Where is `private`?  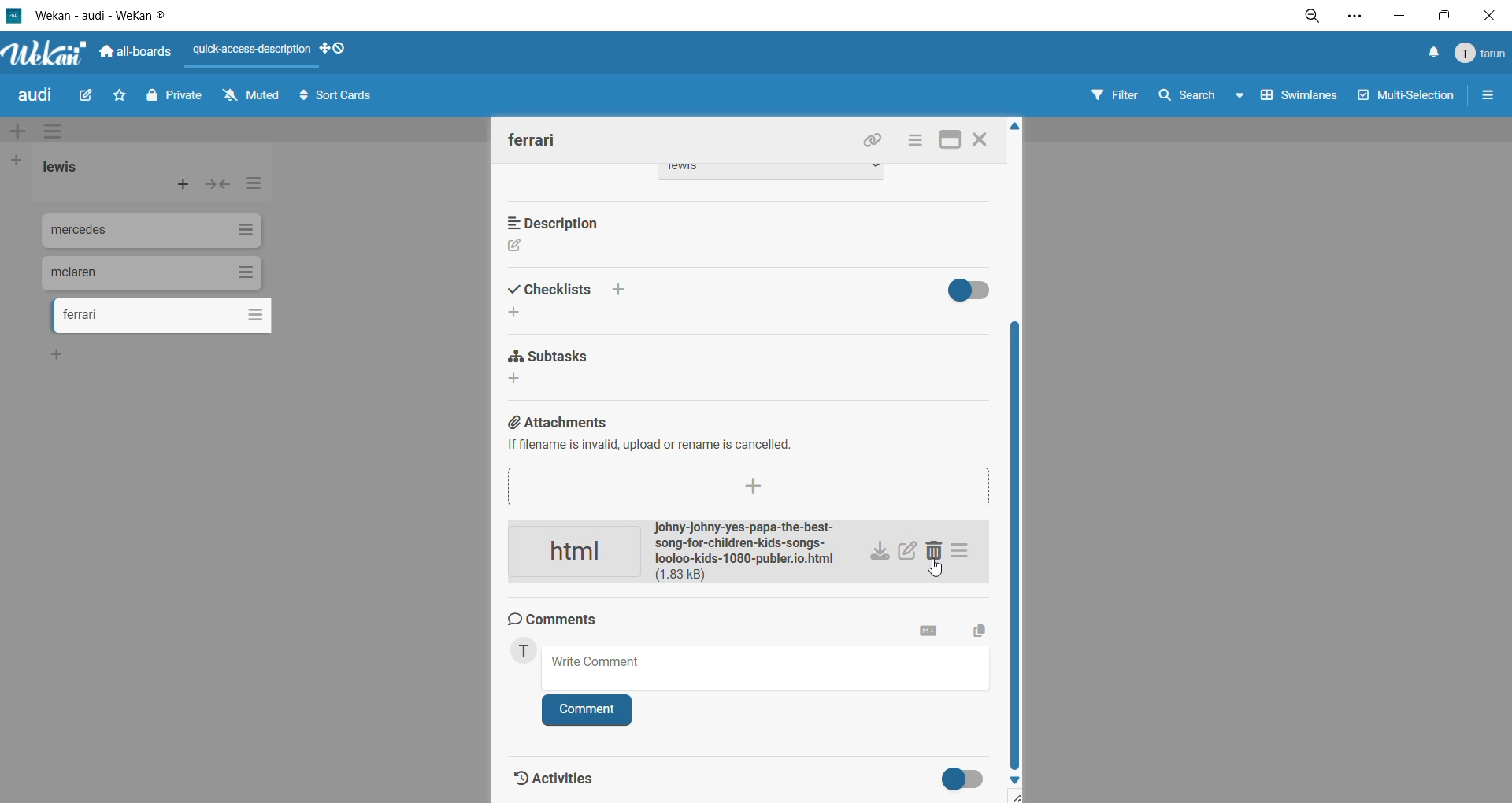
private is located at coordinates (174, 100).